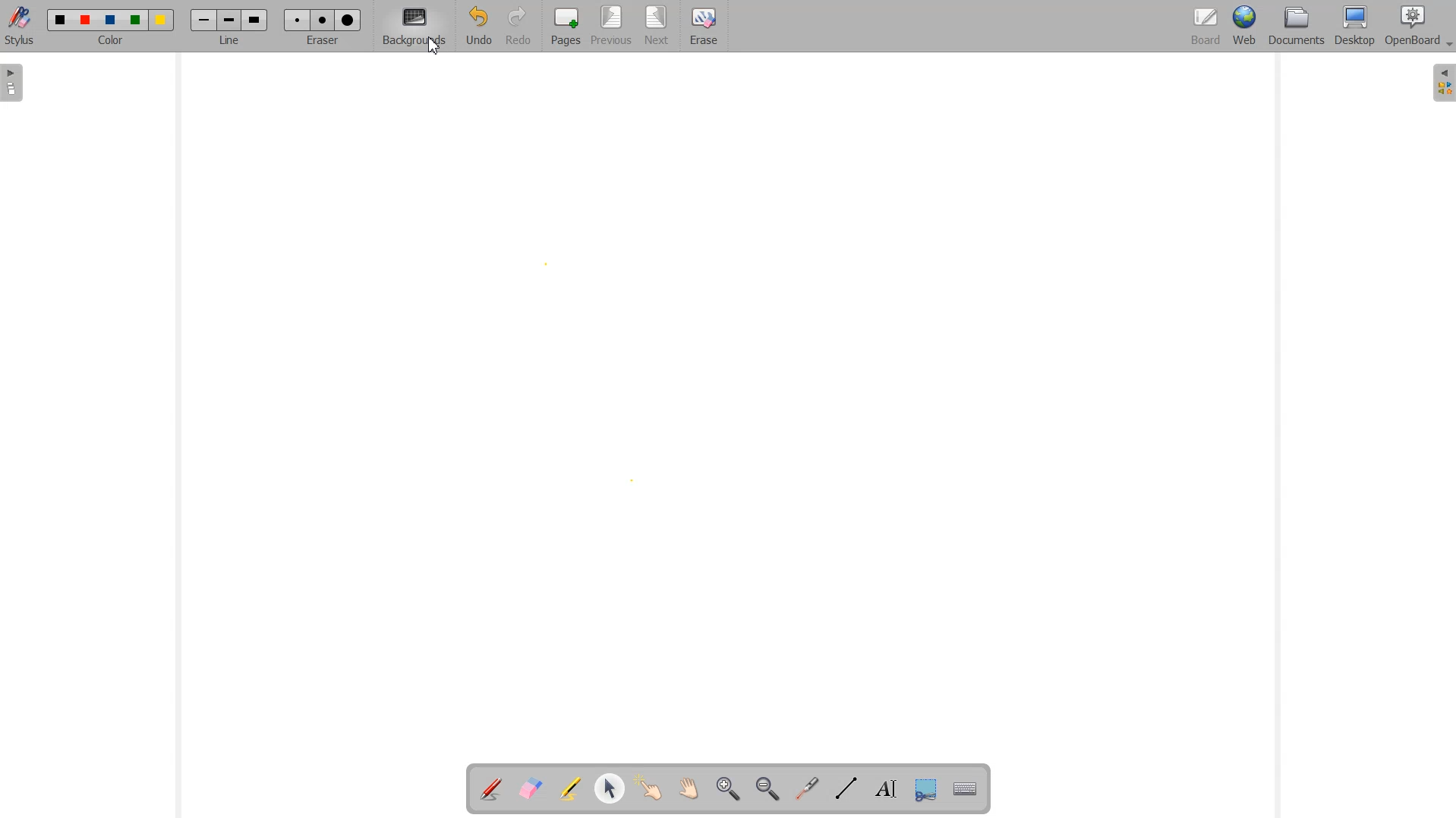  Describe the element at coordinates (570, 791) in the screenshot. I see `Highlight` at that location.